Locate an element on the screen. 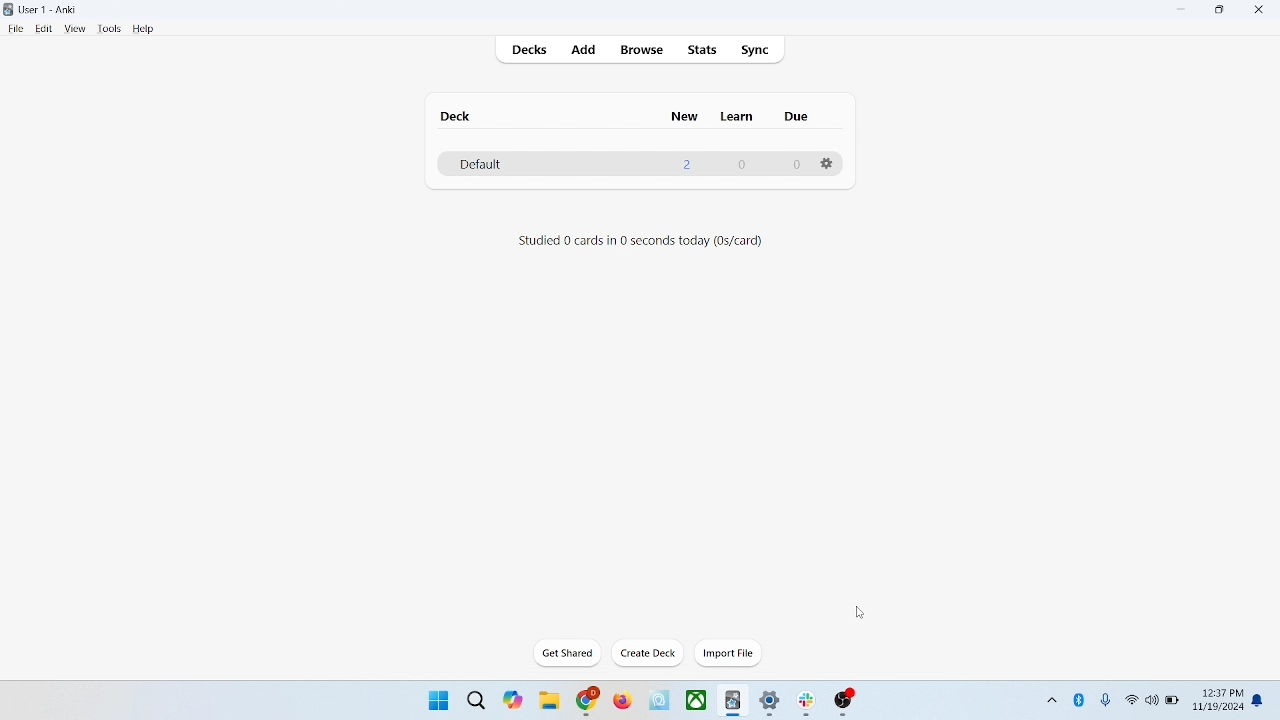 The image size is (1280, 720). due is located at coordinates (798, 117).